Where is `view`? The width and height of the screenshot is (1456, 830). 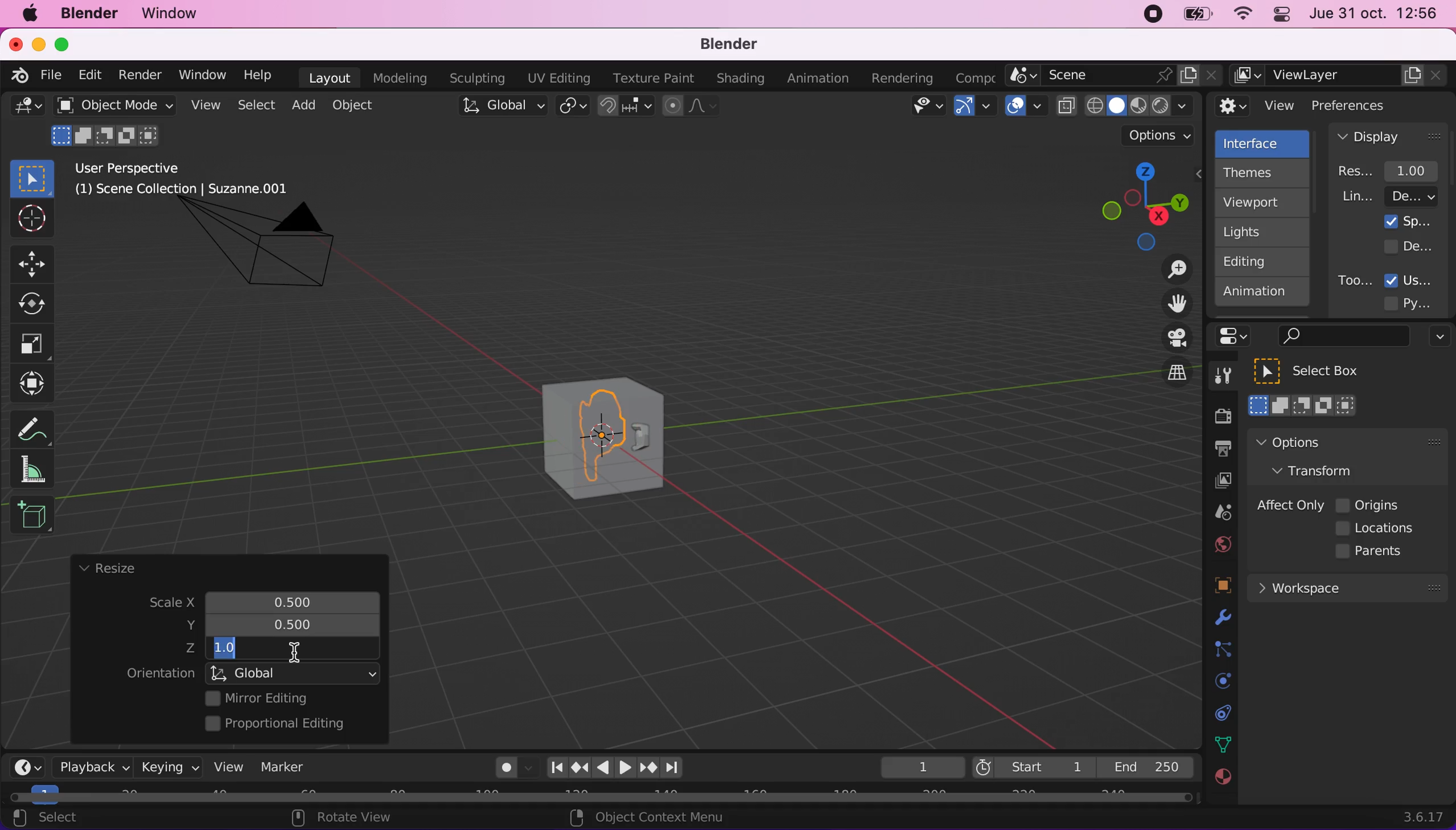
view is located at coordinates (203, 105).